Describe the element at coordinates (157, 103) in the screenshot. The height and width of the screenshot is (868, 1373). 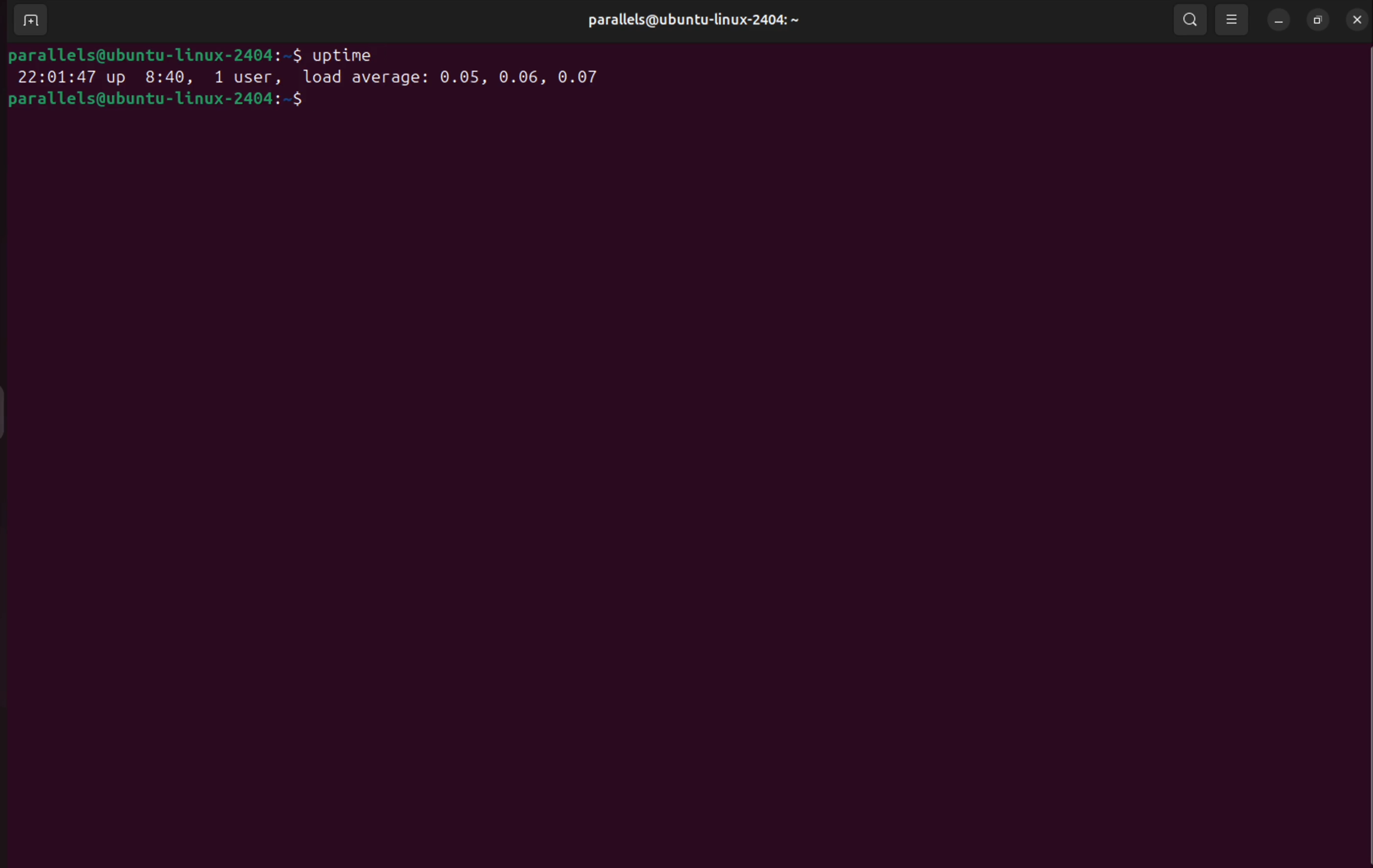
I see `parallels@ubuntu-1linux-2404:-$` at that location.